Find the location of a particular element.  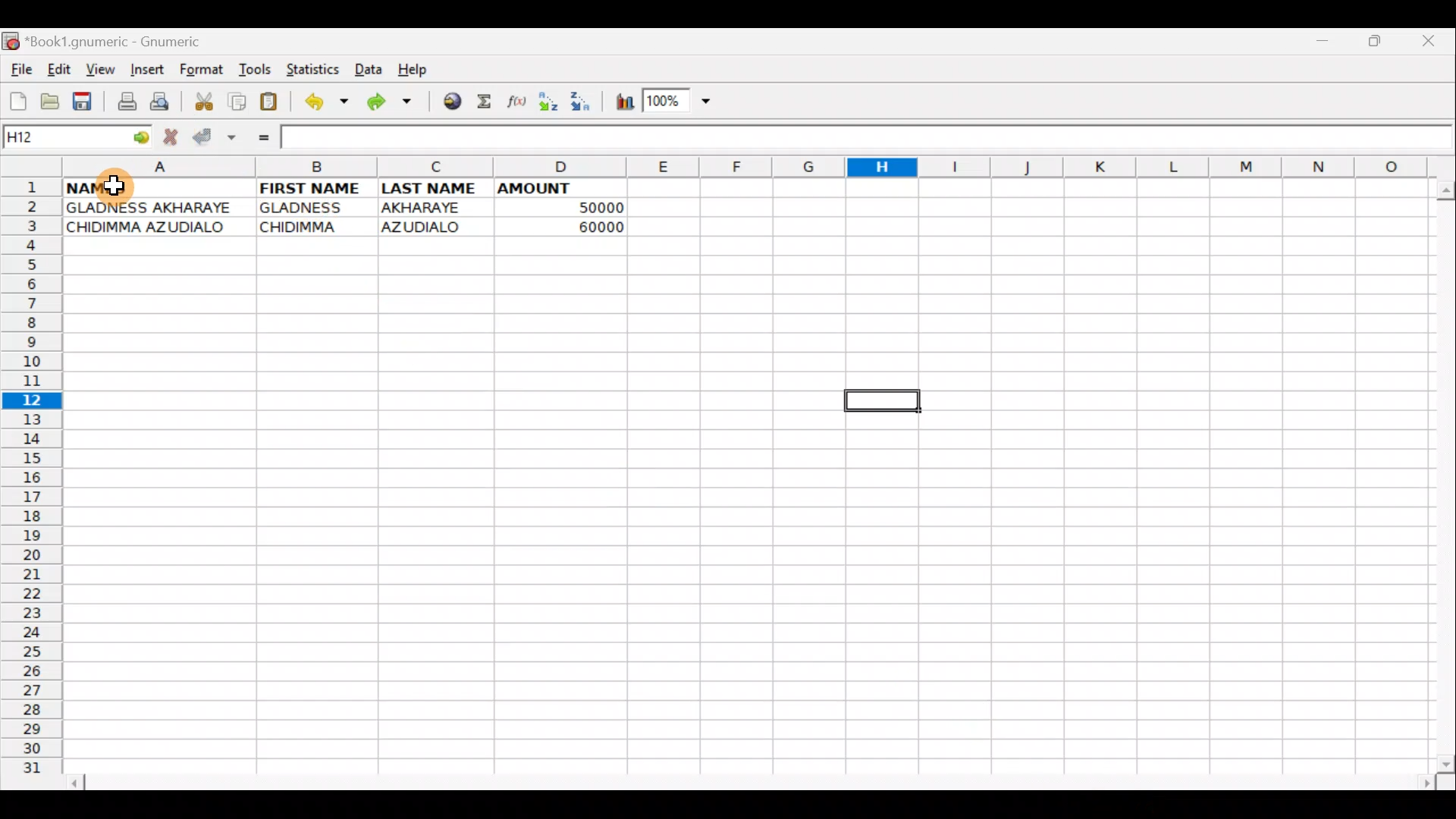

Go to is located at coordinates (136, 139).